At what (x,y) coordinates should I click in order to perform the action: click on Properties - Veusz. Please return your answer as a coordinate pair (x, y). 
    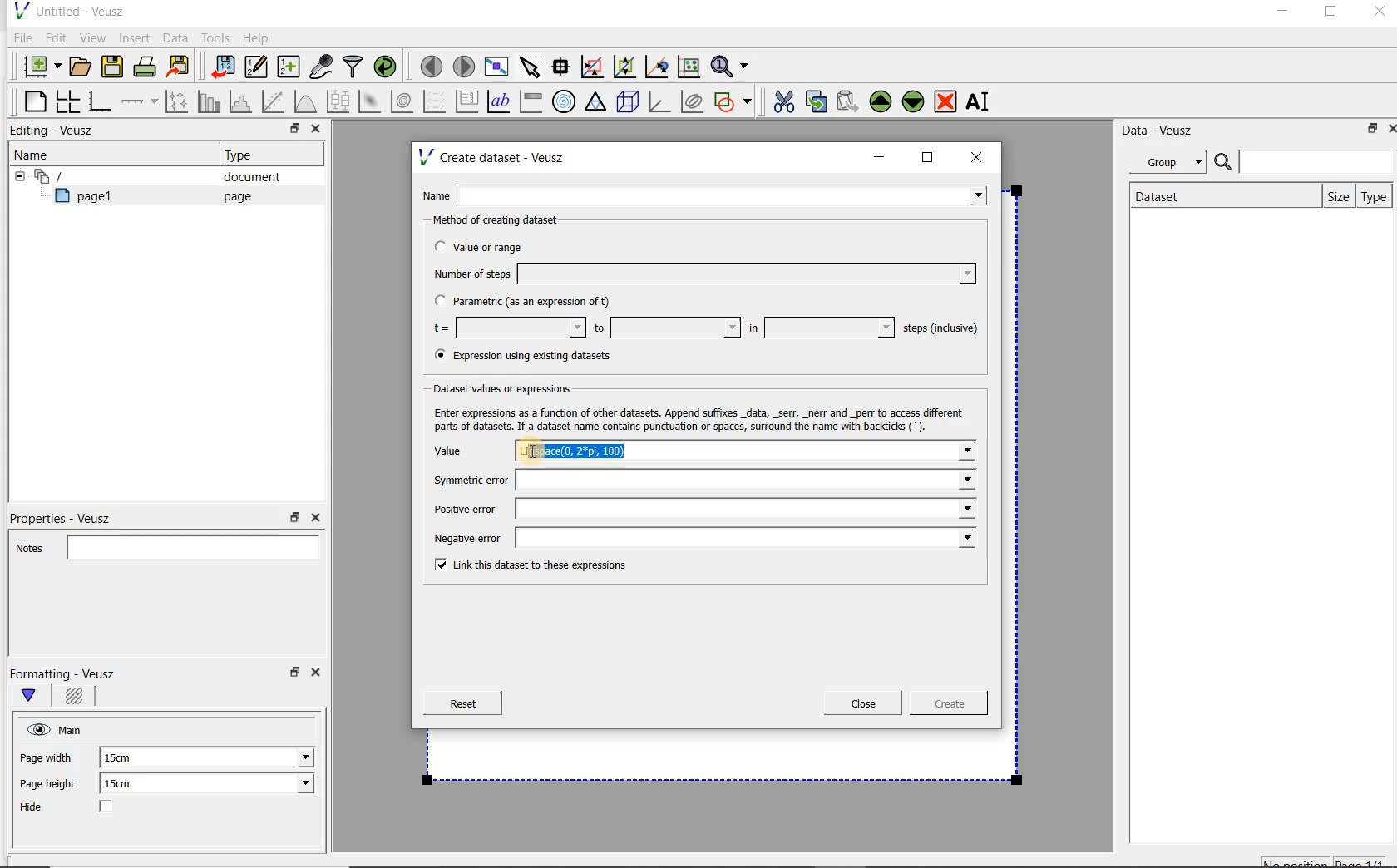
    Looking at the image, I should click on (69, 515).